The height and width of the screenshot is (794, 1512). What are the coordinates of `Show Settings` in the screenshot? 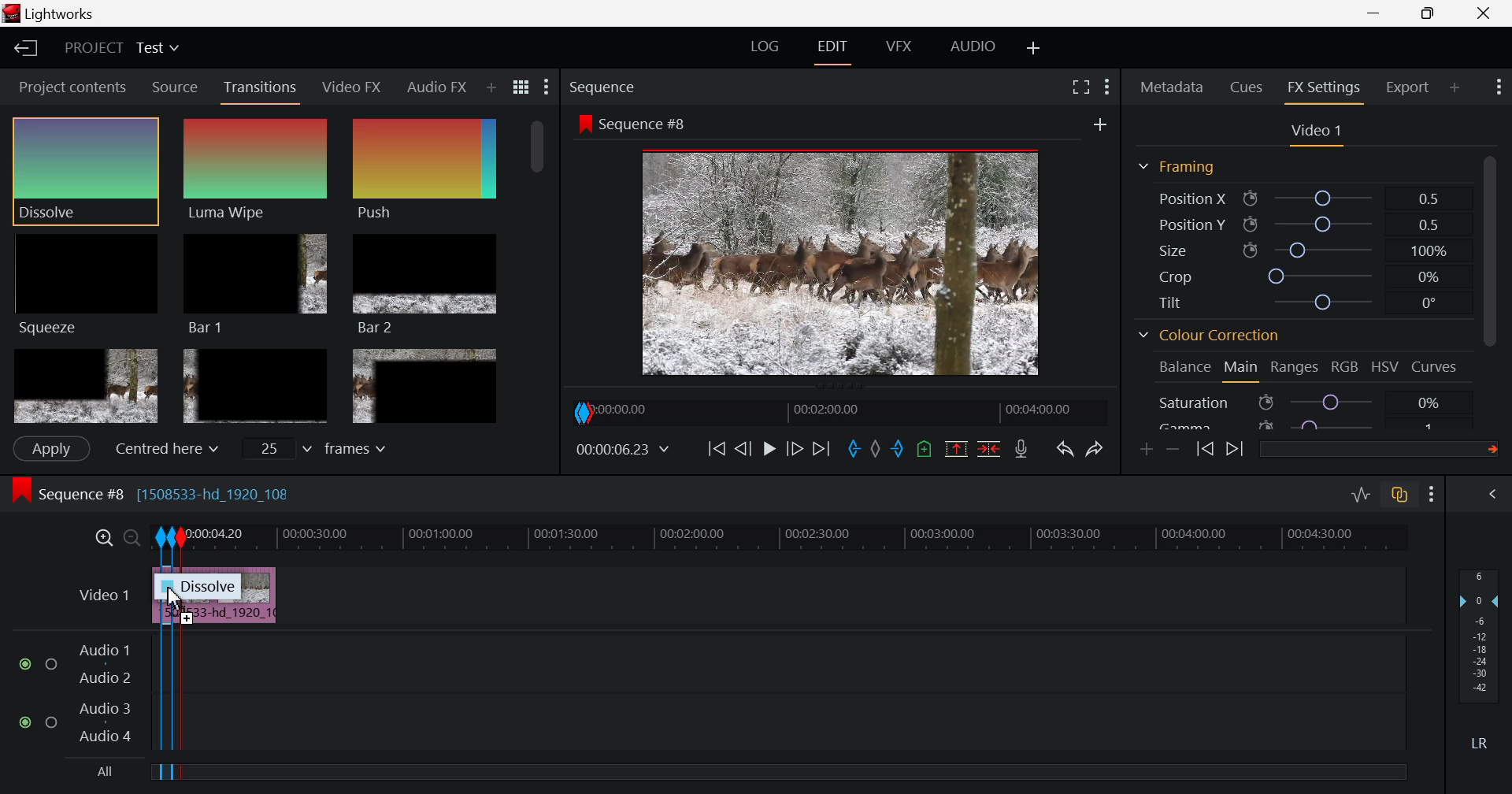 It's located at (1435, 493).